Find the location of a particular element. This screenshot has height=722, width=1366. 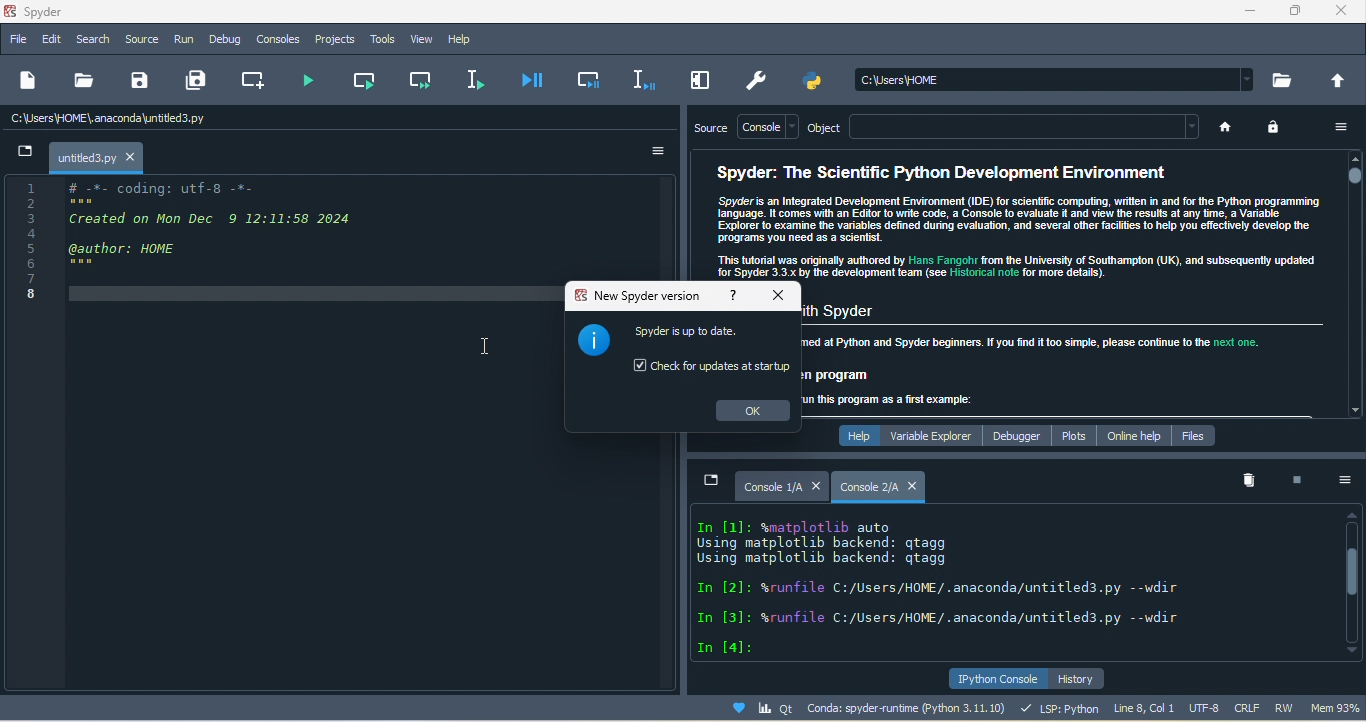

lsp python is located at coordinates (1057, 708).